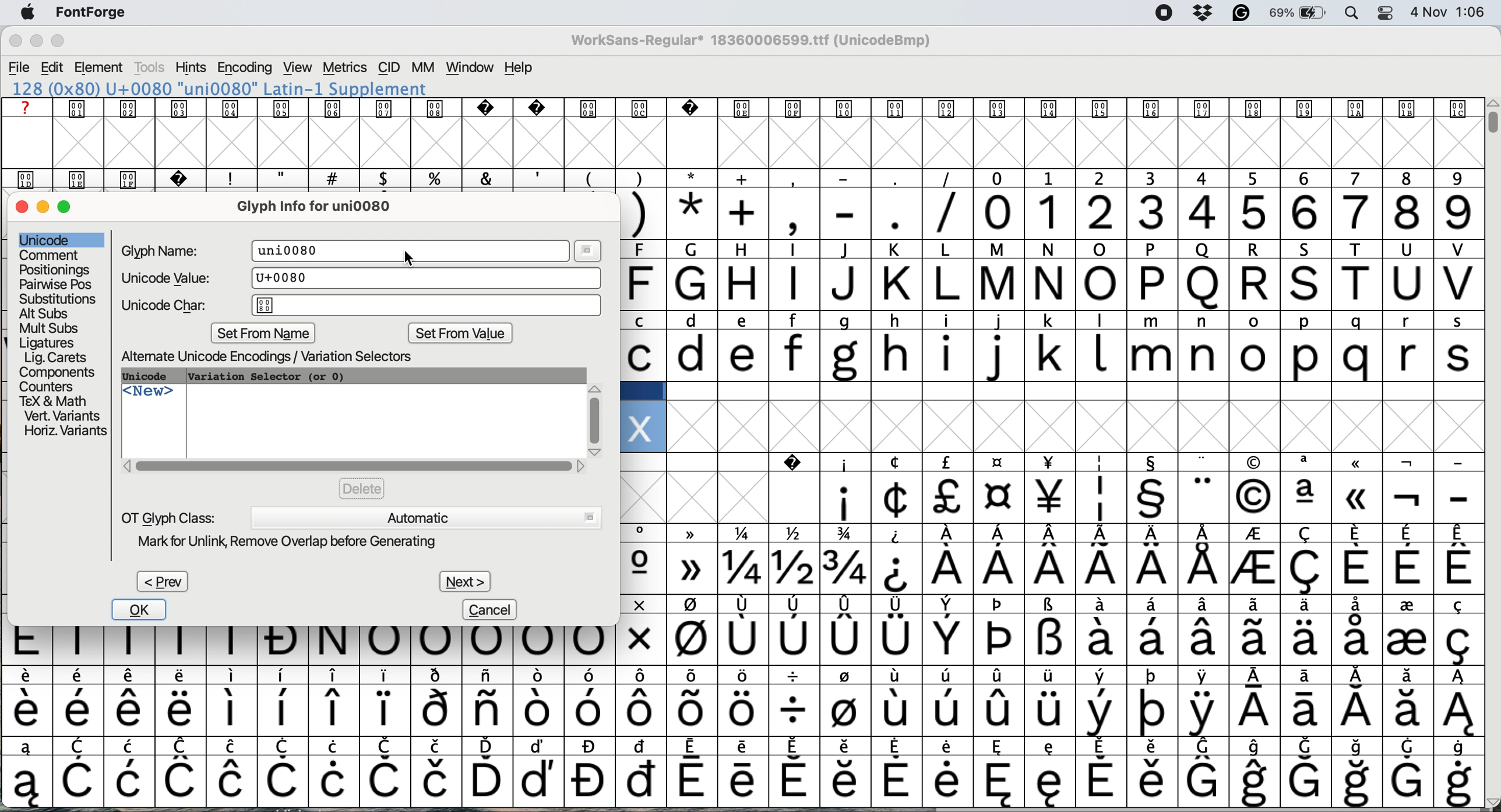  I want to click on minimise, so click(35, 43).